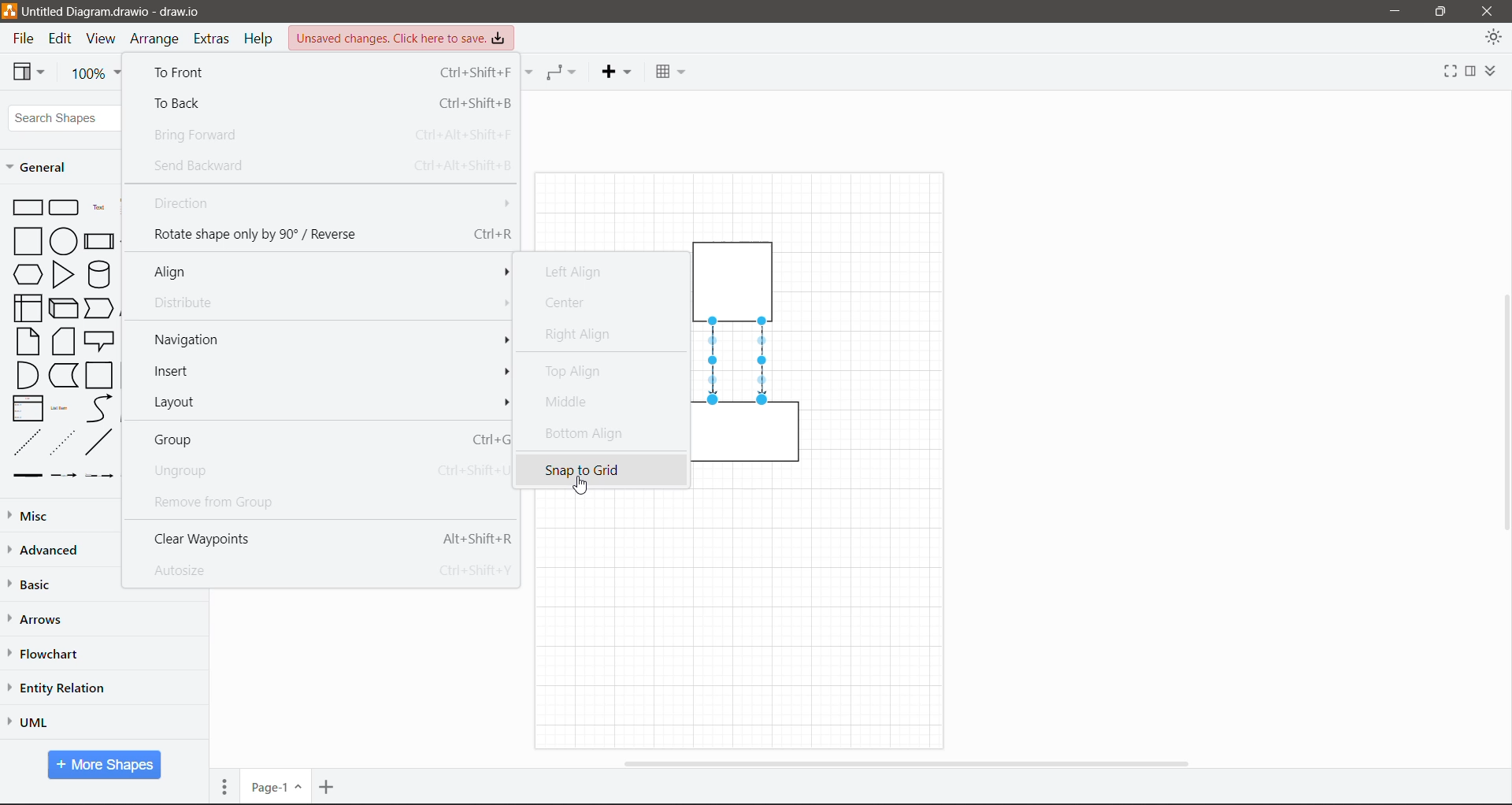  I want to click on curve, so click(99, 409).